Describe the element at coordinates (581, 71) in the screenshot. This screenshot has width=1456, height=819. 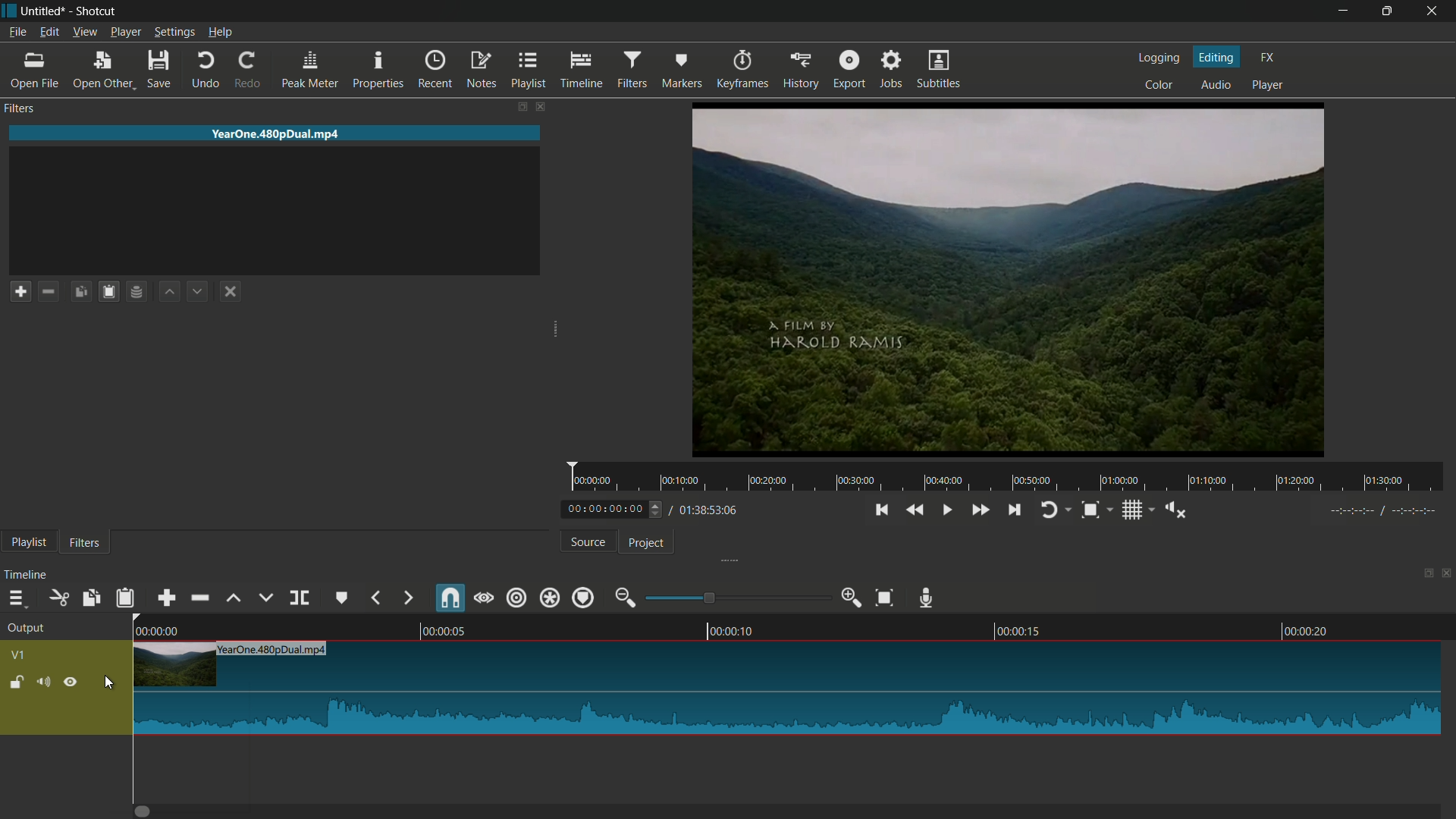
I see `timeline` at that location.